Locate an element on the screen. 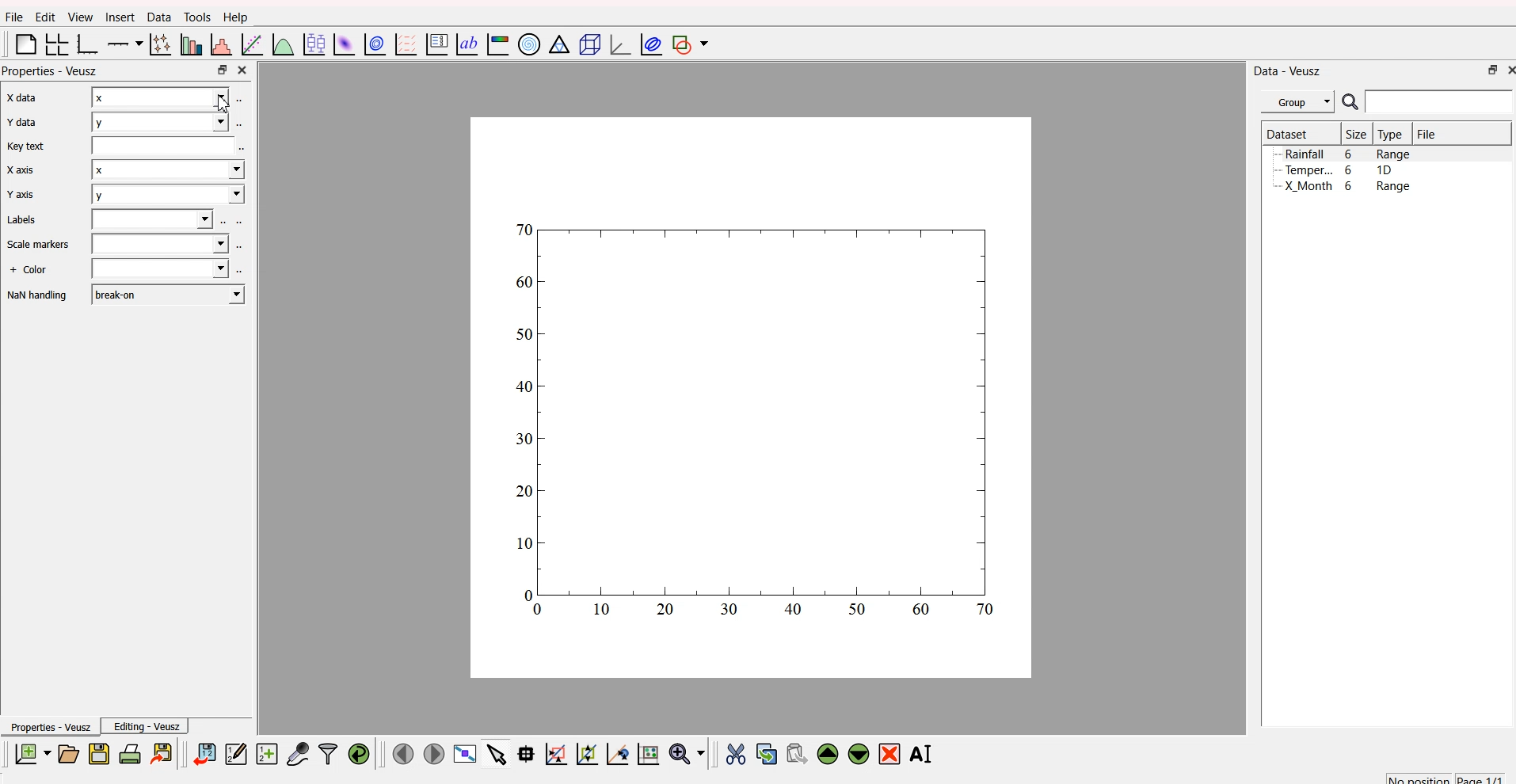  paste the widget from the clipboard is located at coordinates (796, 753).